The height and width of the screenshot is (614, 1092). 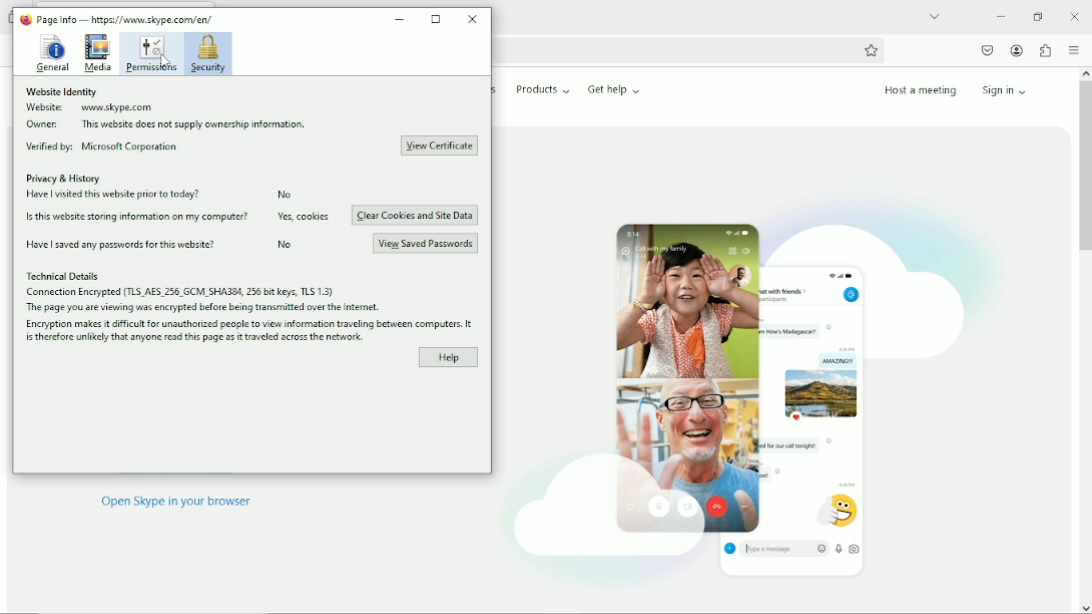 I want to click on Restore down, so click(x=1037, y=16).